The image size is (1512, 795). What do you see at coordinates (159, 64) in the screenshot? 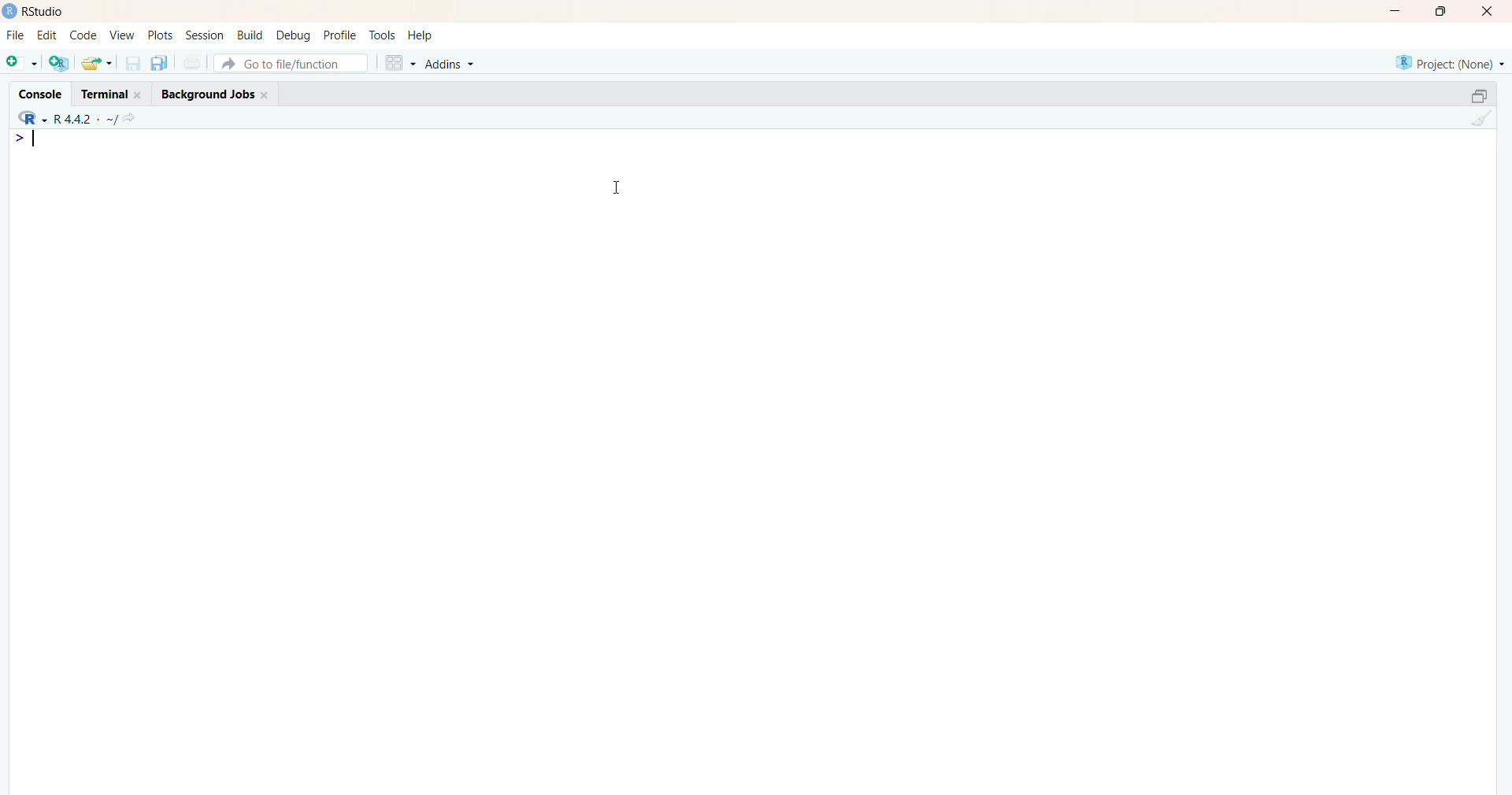
I see `save all open documents` at bounding box center [159, 64].